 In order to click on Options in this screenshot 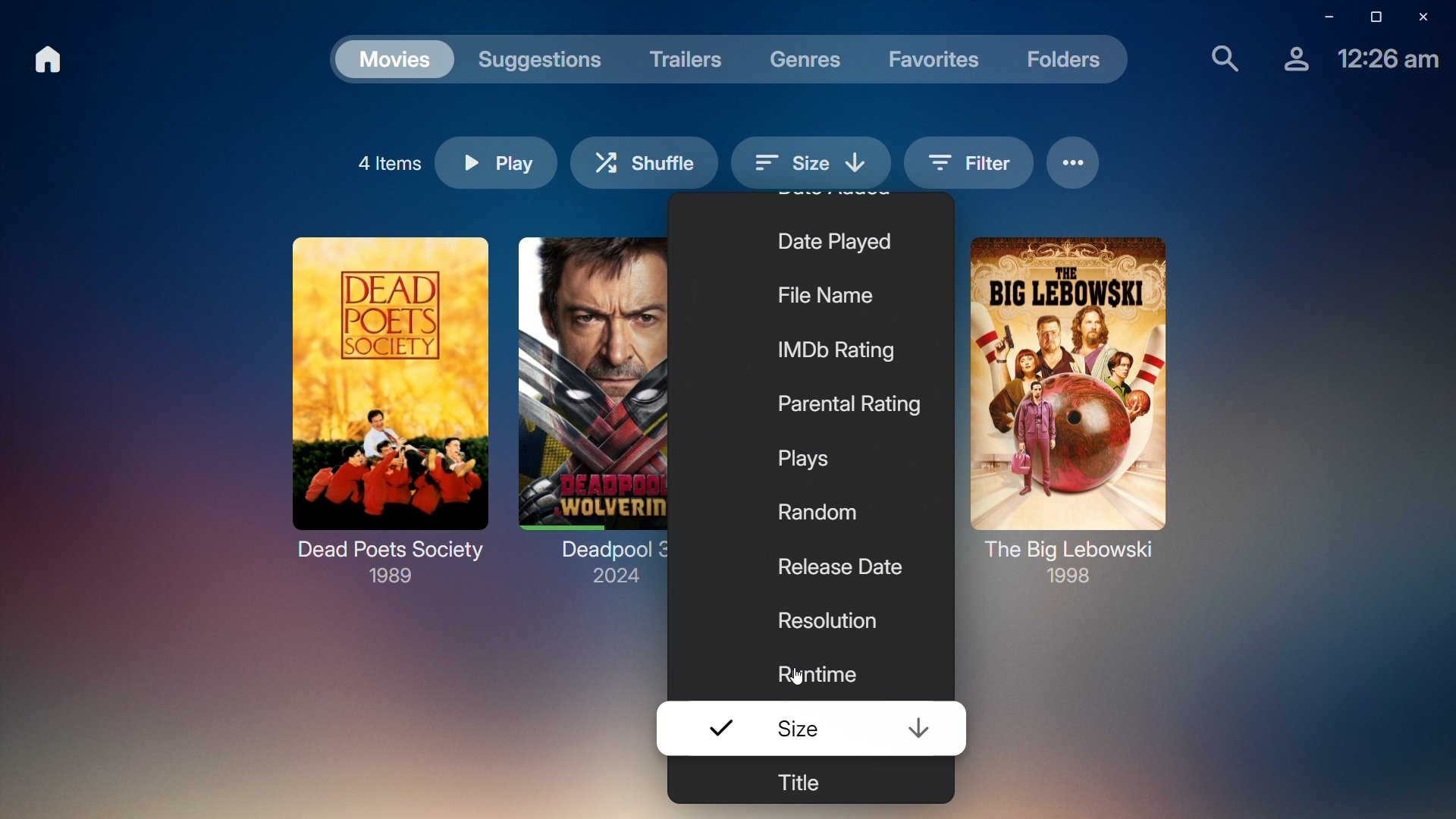, I will do `click(1075, 163)`.